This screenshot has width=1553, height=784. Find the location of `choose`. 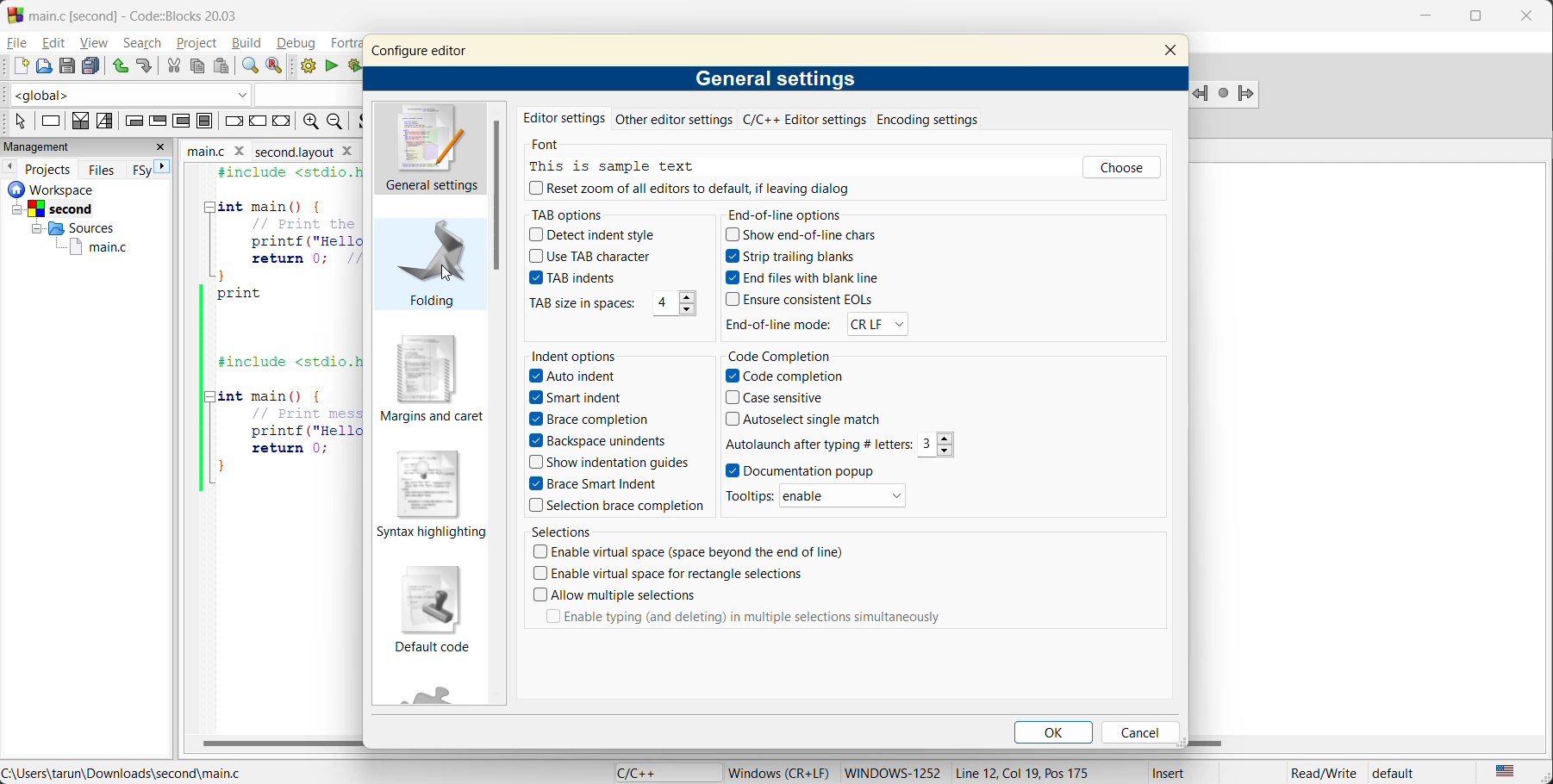

choose is located at coordinates (1123, 167).